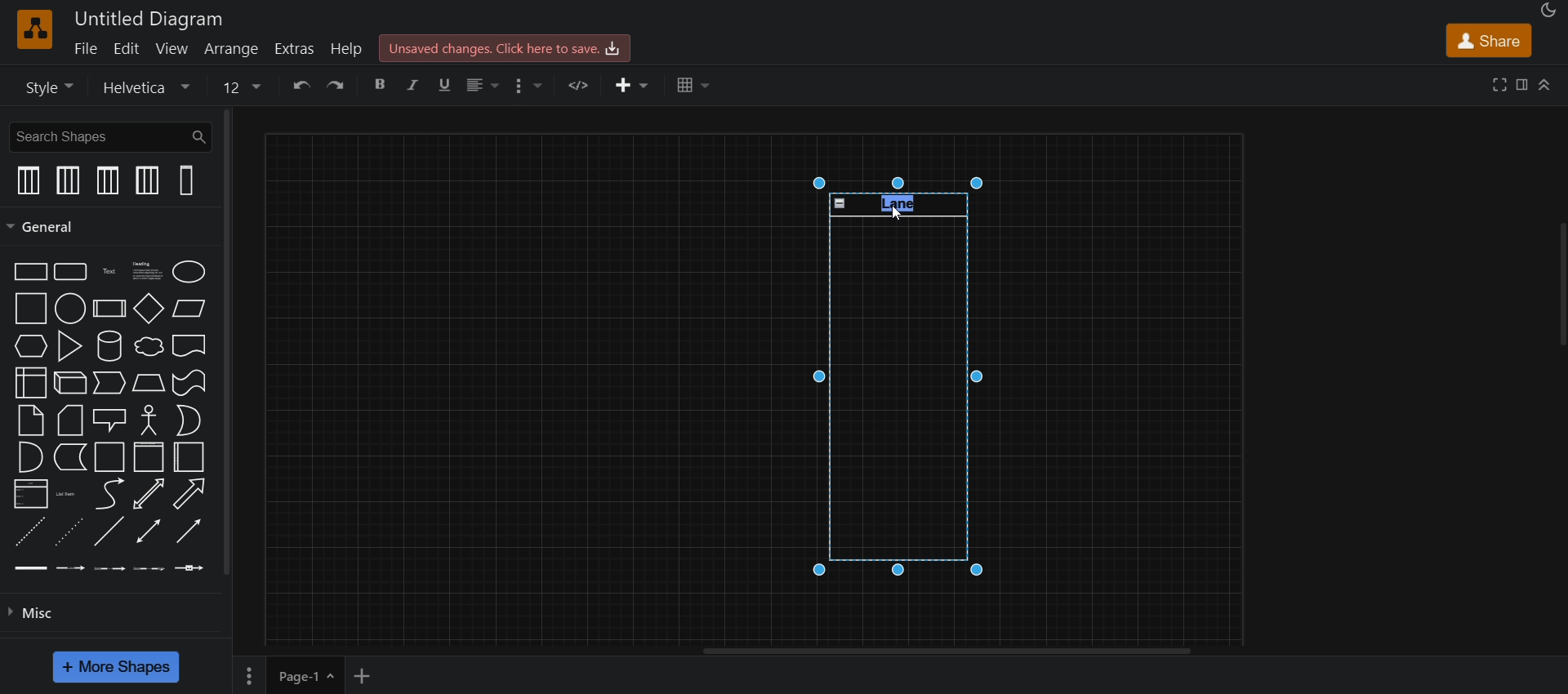  I want to click on container, so click(109, 457).